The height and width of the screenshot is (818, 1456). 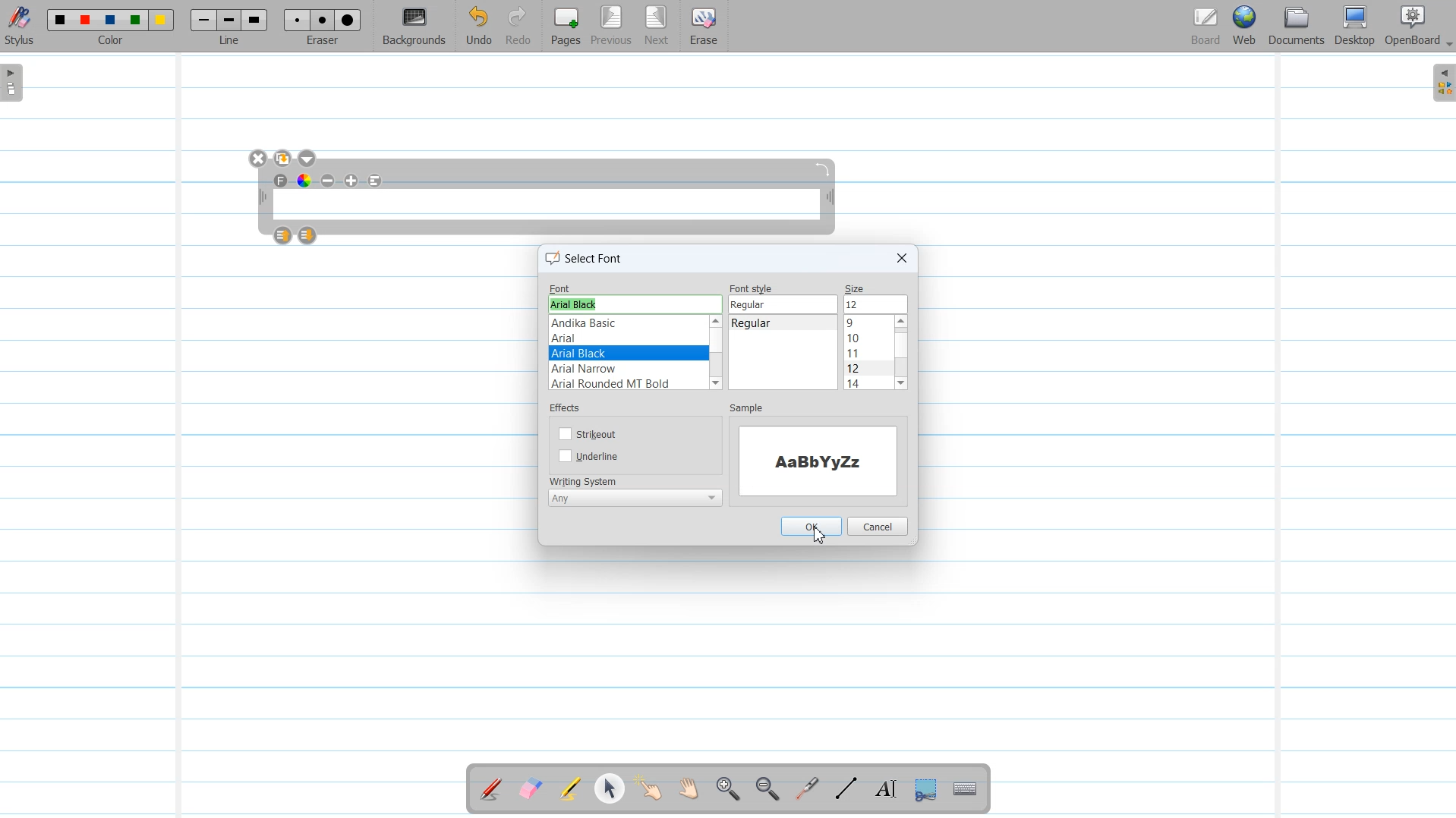 I want to click on Next, so click(x=657, y=27).